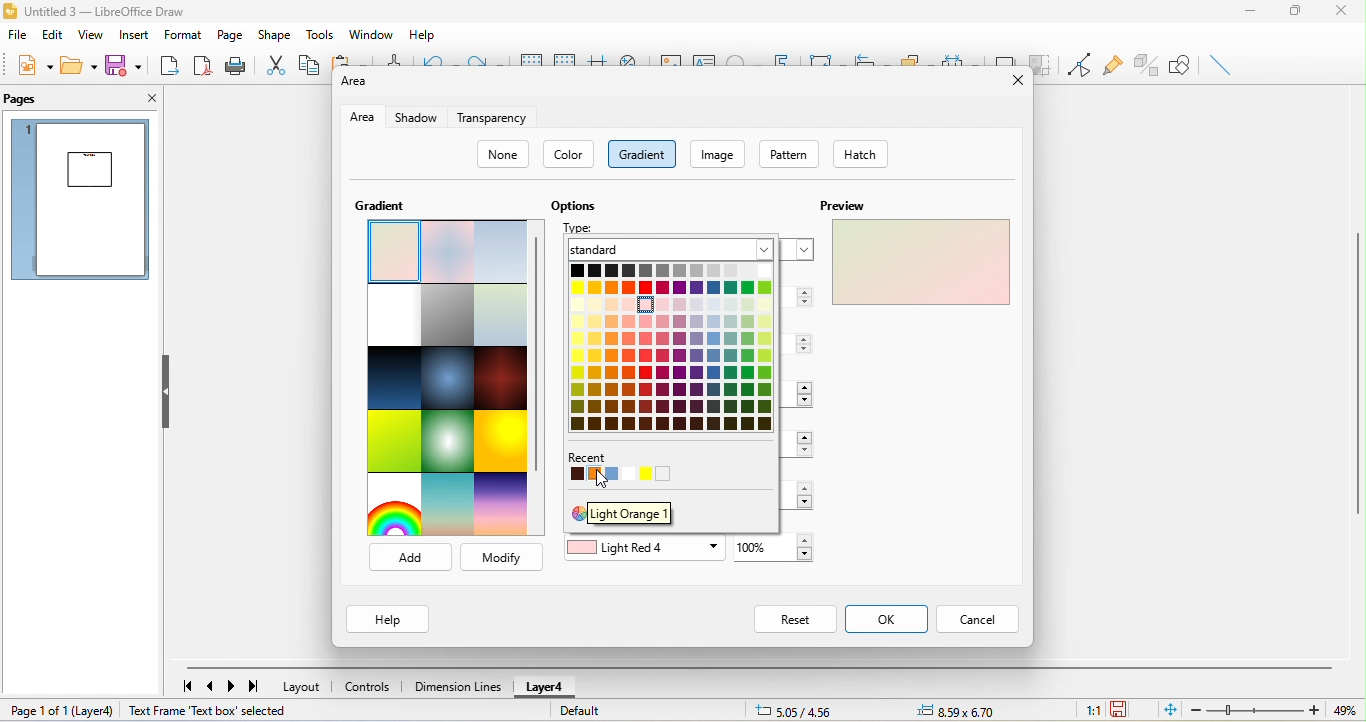  What do you see at coordinates (503, 379) in the screenshot?
I see `mahogany` at bounding box center [503, 379].